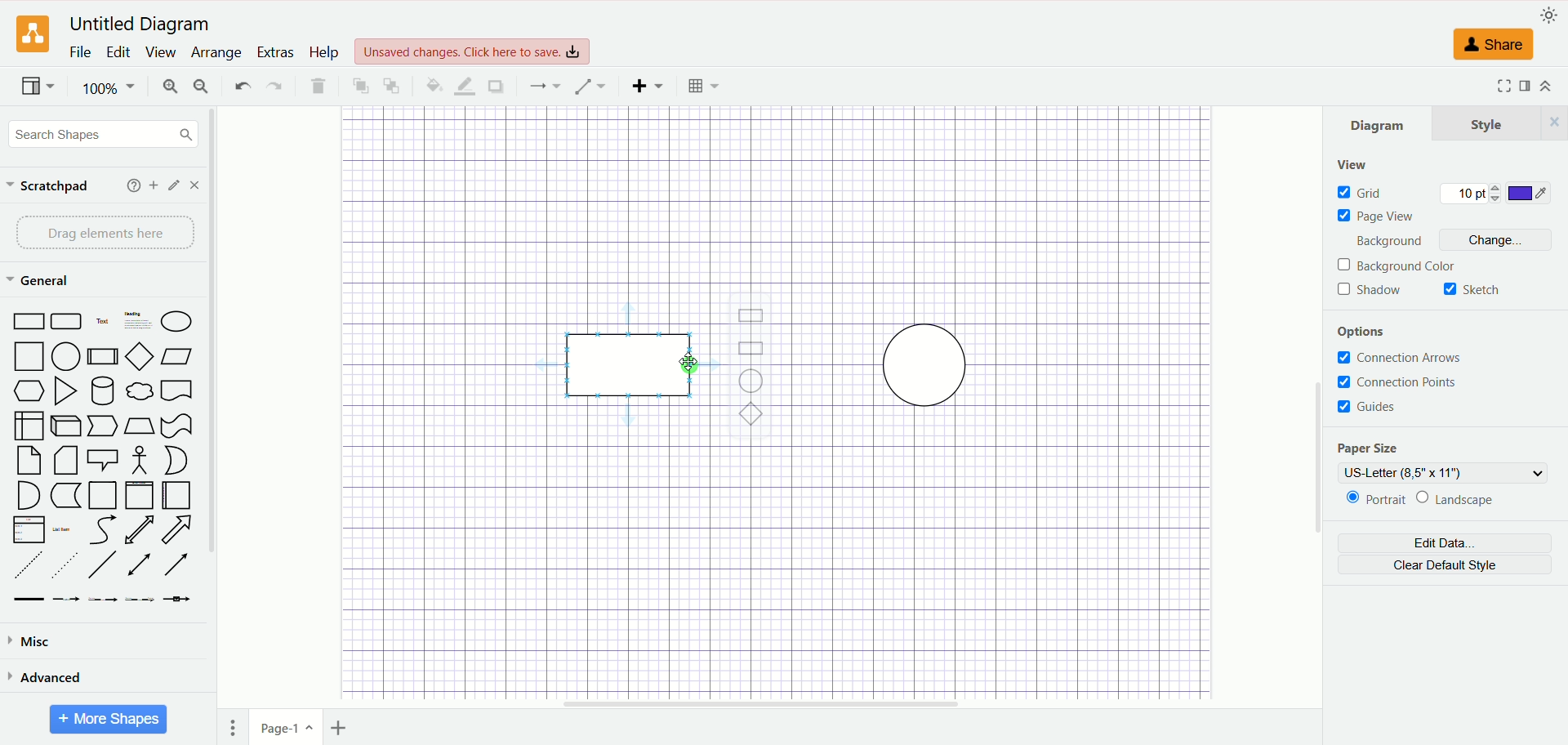  I want to click on style, so click(1500, 123).